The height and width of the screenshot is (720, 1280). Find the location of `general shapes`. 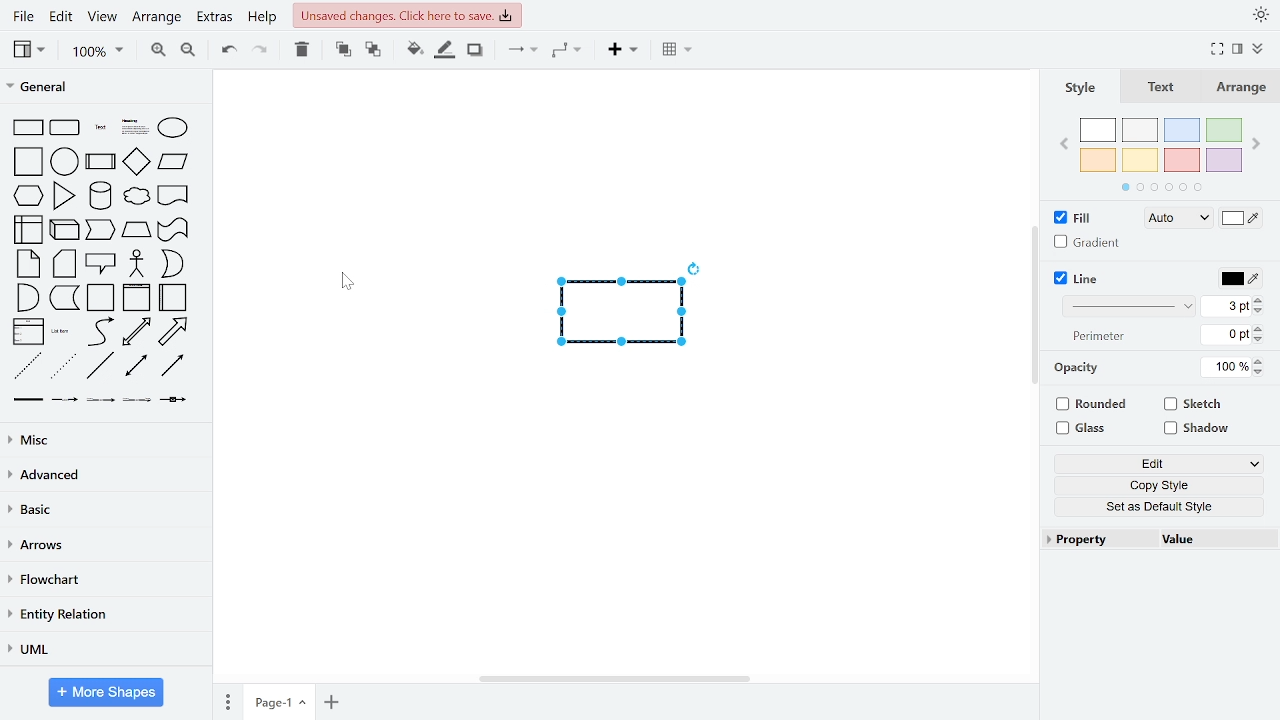

general shapes is located at coordinates (131, 196).